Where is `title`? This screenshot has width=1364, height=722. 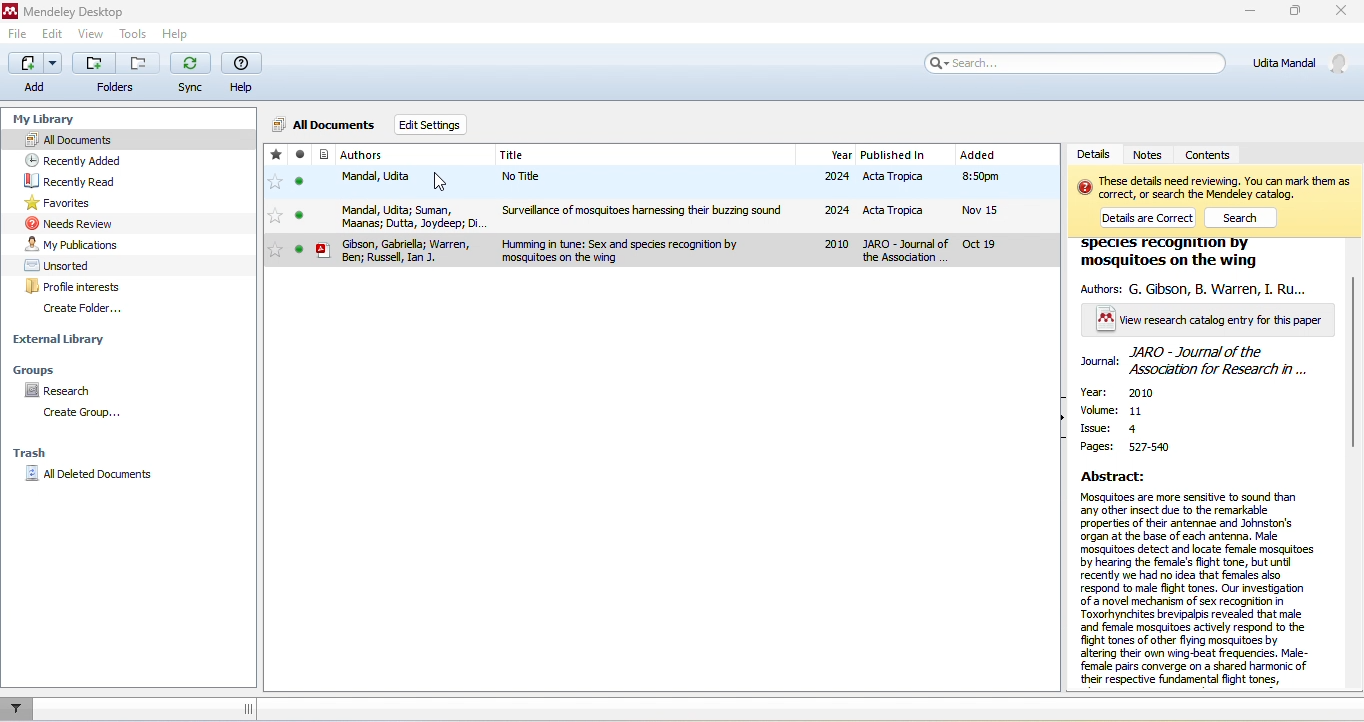
title is located at coordinates (66, 10).